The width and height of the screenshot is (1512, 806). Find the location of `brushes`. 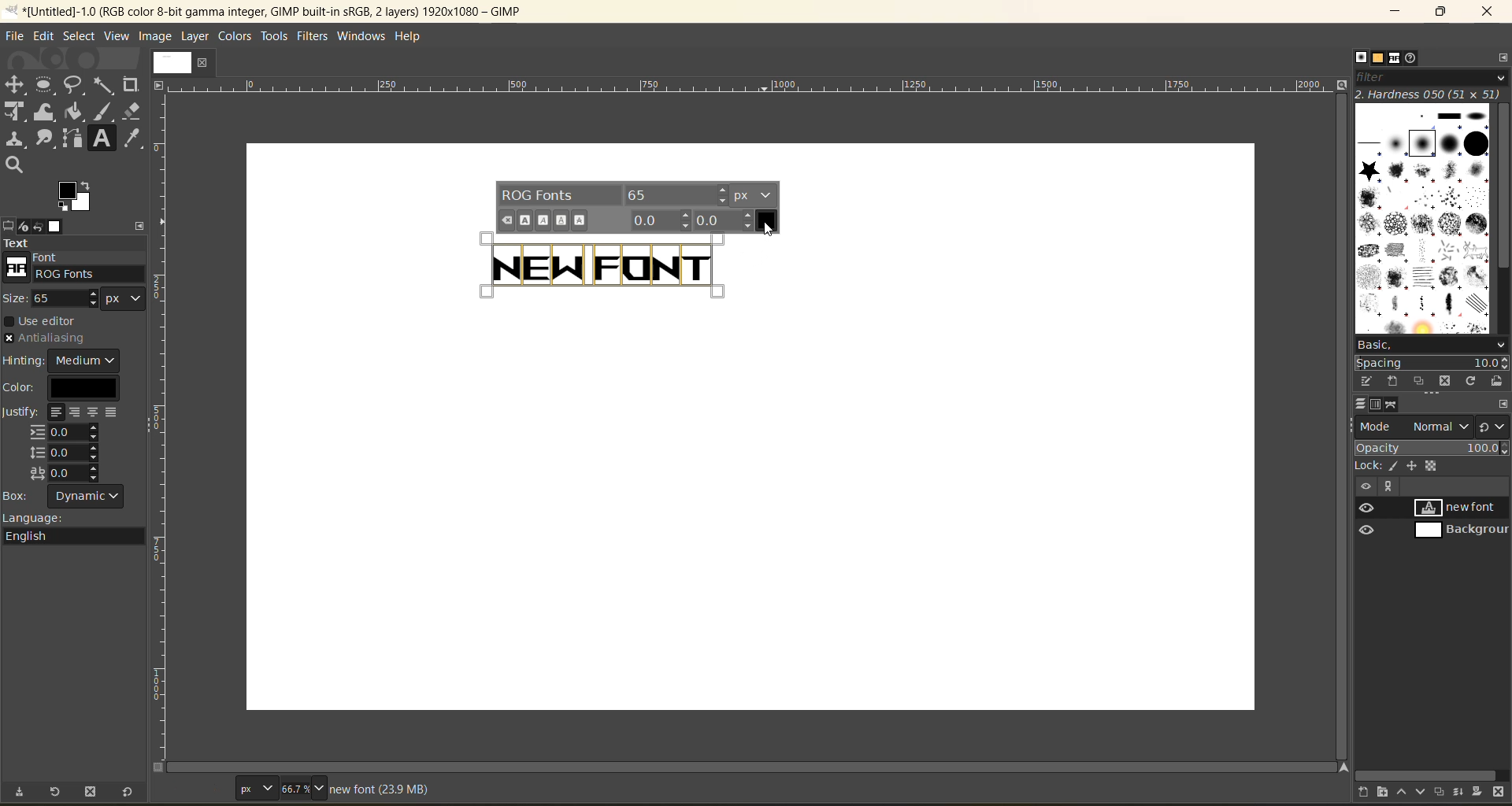

brushes is located at coordinates (1361, 57).